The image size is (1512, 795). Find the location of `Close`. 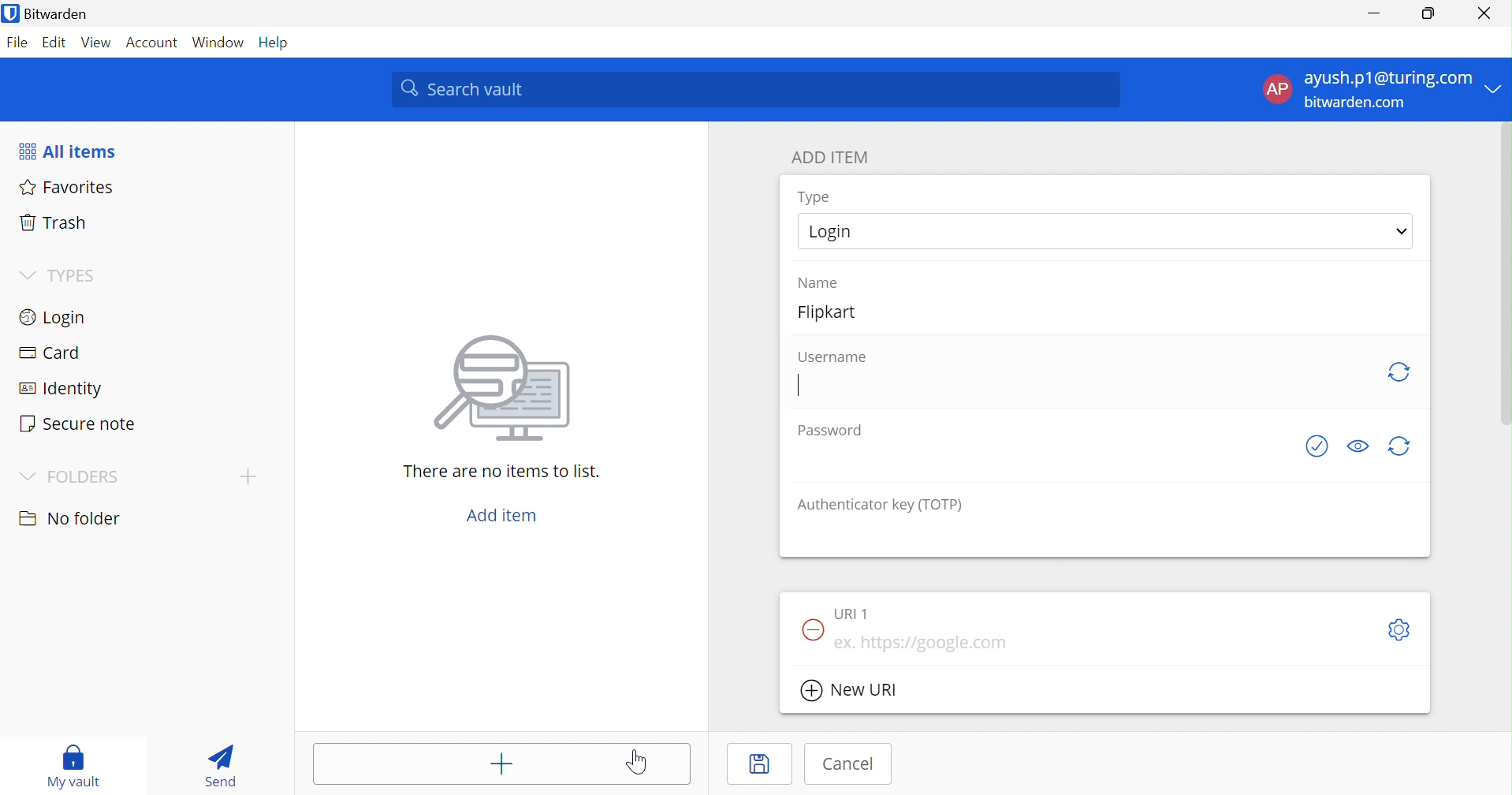

Close is located at coordinates (1485, 13).